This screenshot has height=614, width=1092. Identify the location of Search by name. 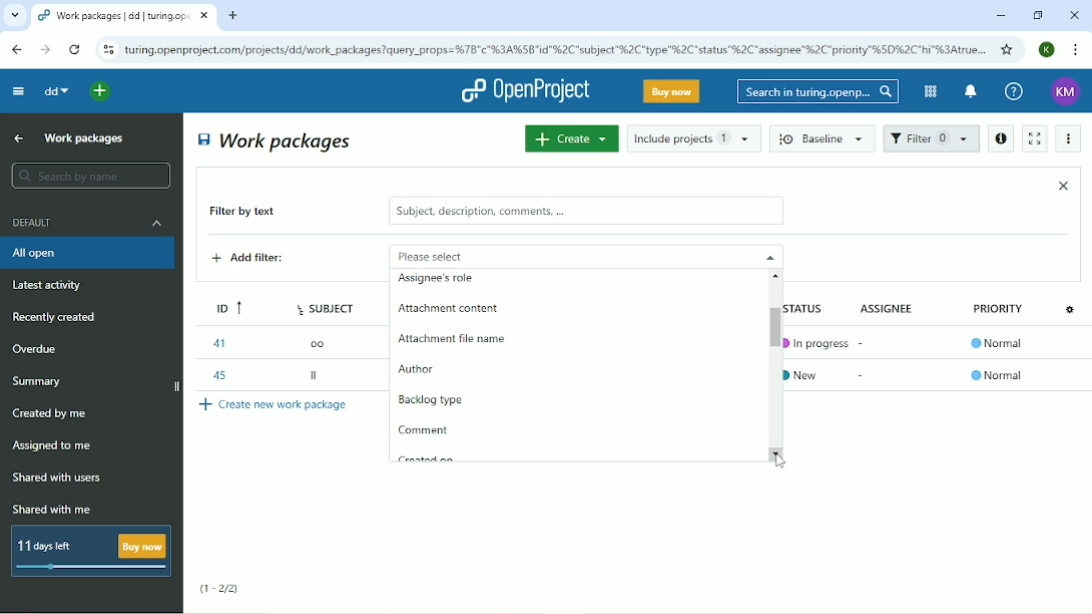
(90, 176).